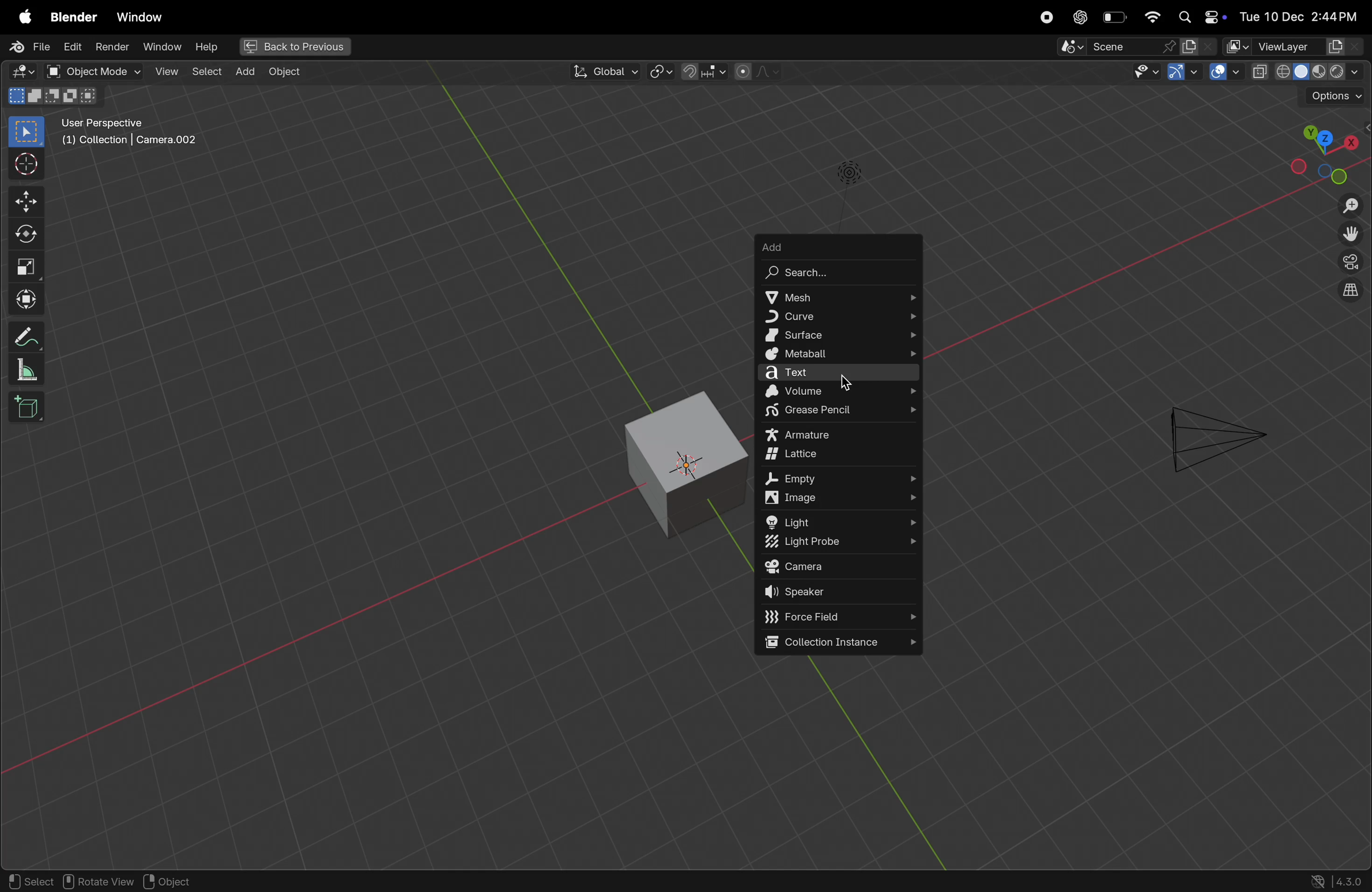 This screenshot has width=1372, height=892. I want to click on View shading, so click(1306, 74).